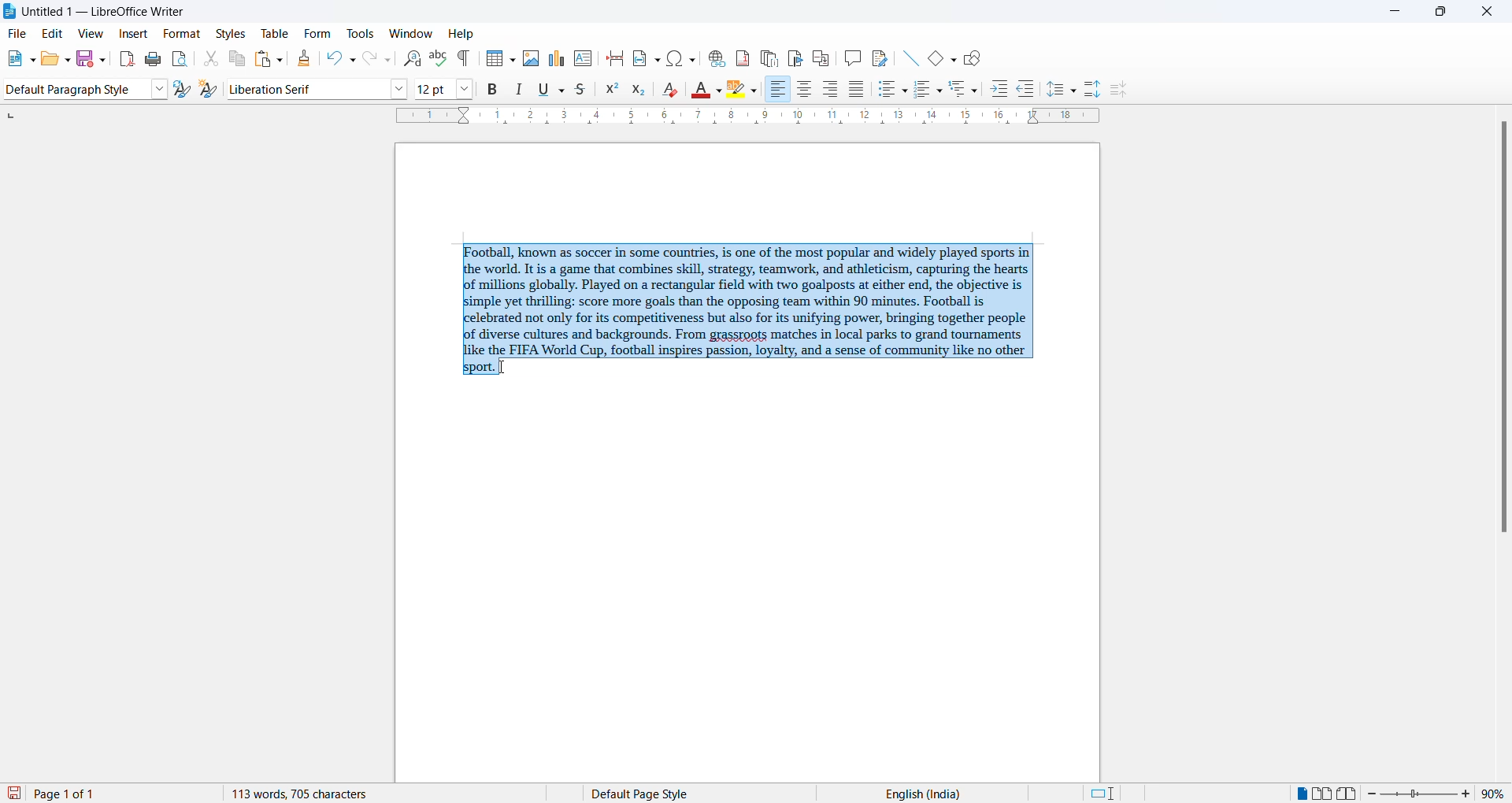  Describe the element at coordinates (1489, 13) in the screenshot. I see `close` at that location.